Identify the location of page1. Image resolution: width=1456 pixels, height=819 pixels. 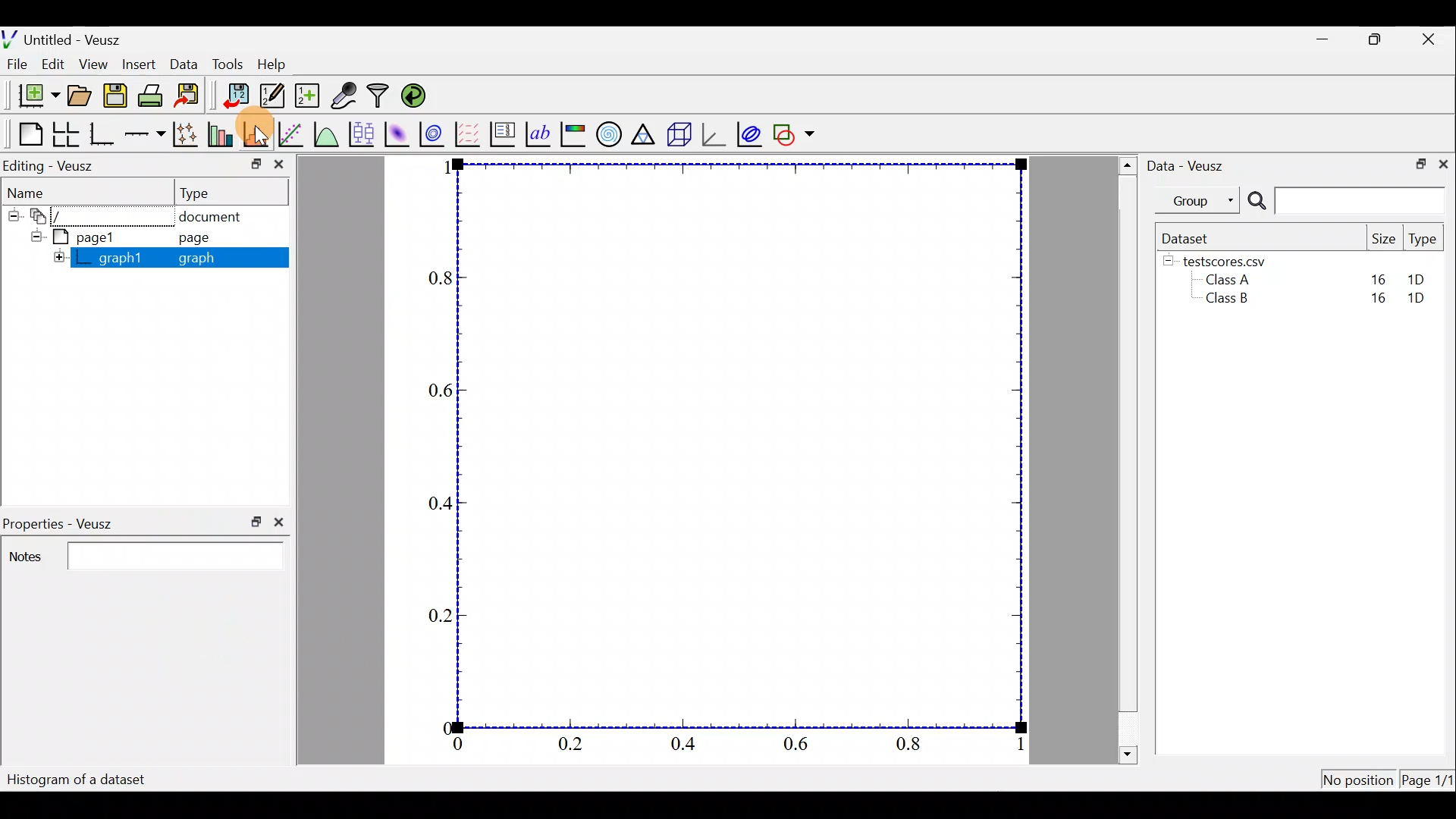
(77, 237).